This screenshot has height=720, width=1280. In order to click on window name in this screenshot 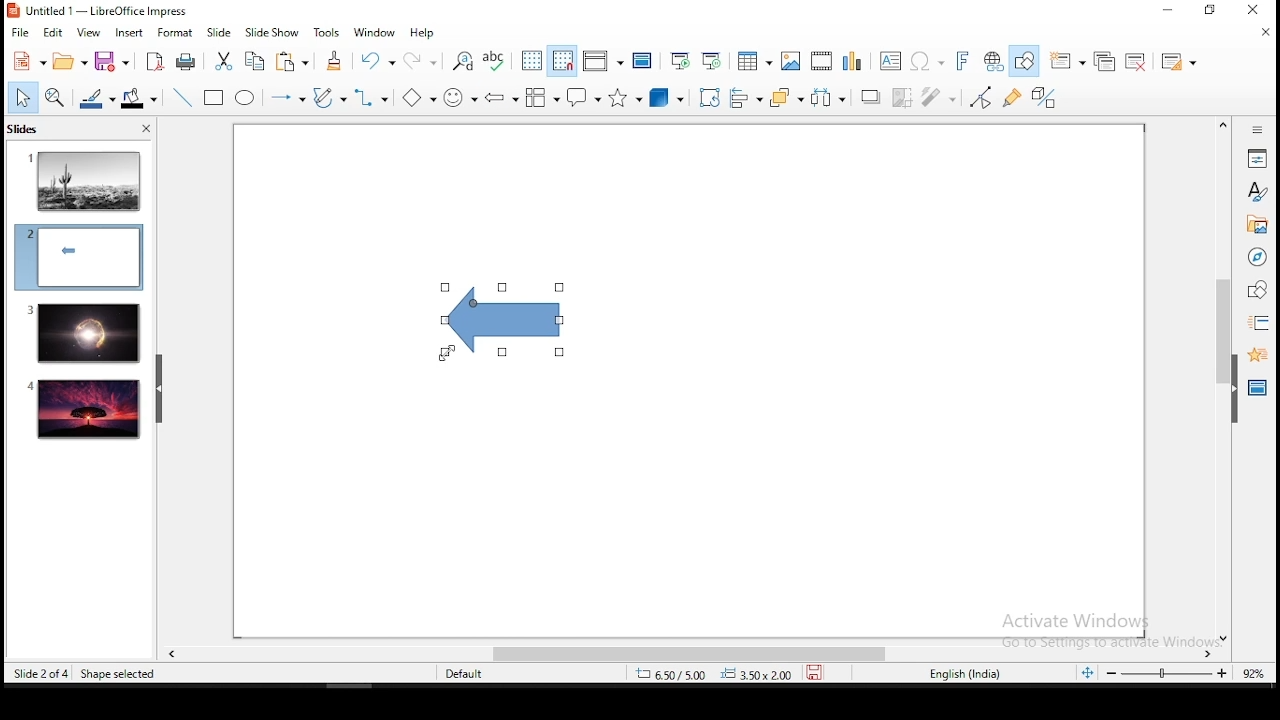, I will do `click(100, 10)`.